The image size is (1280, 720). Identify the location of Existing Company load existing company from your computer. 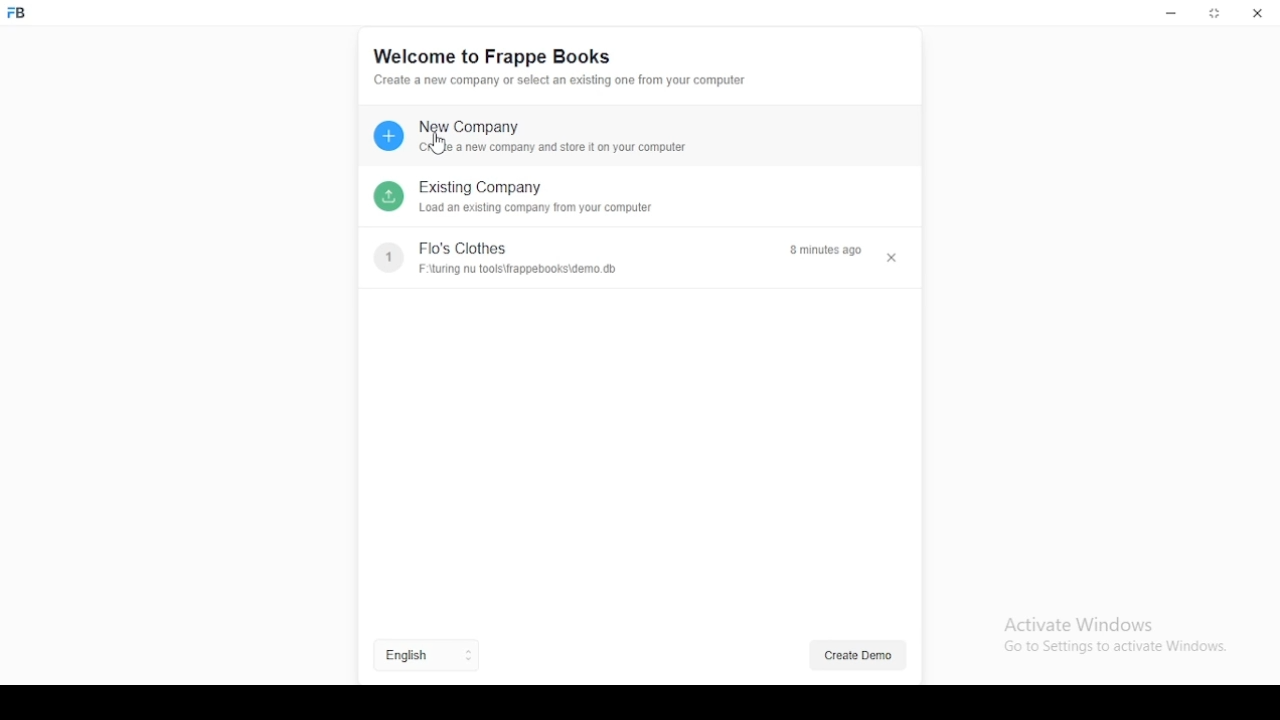
(511, 199).